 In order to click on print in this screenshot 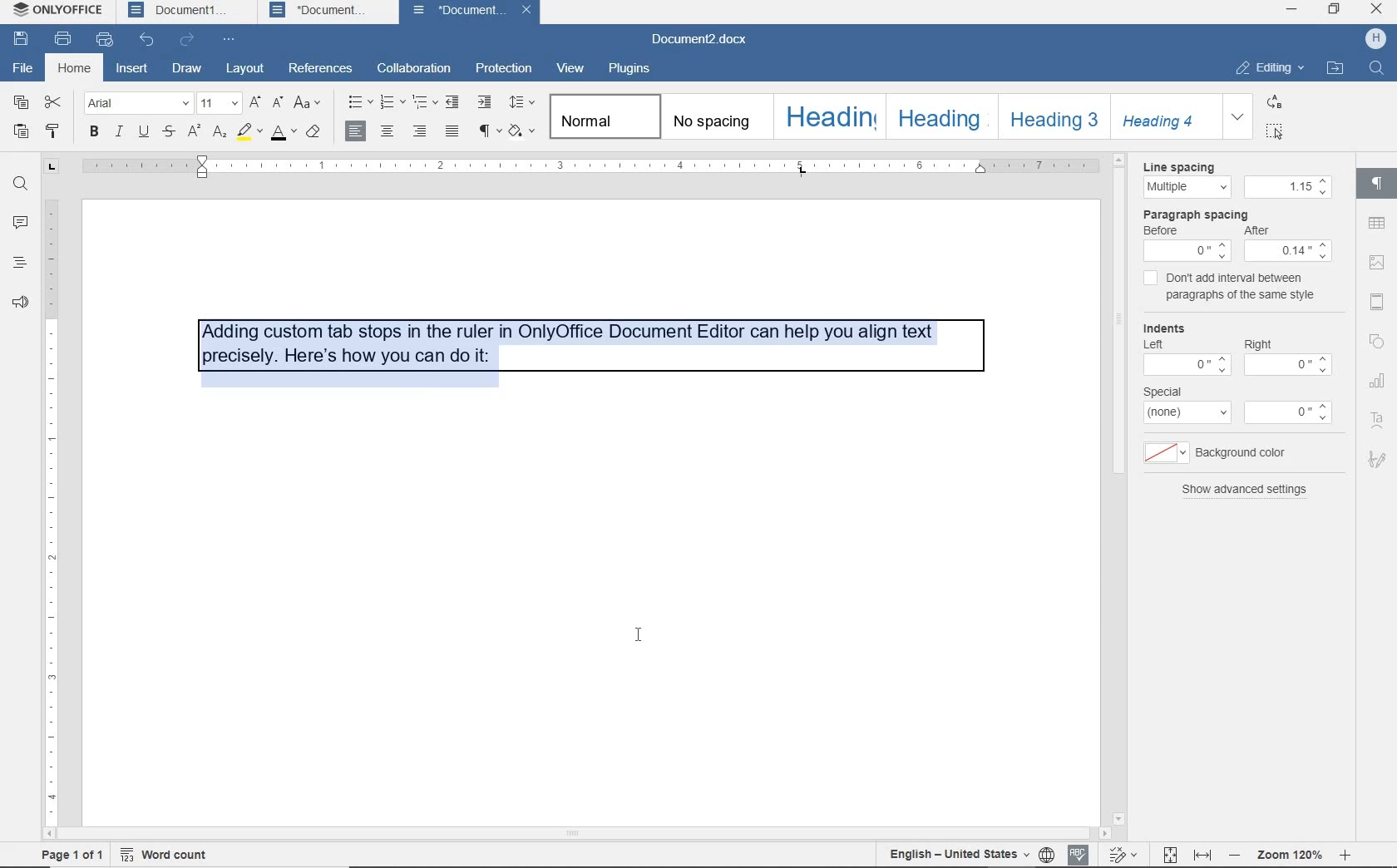, I will do `click(63, 39)`.